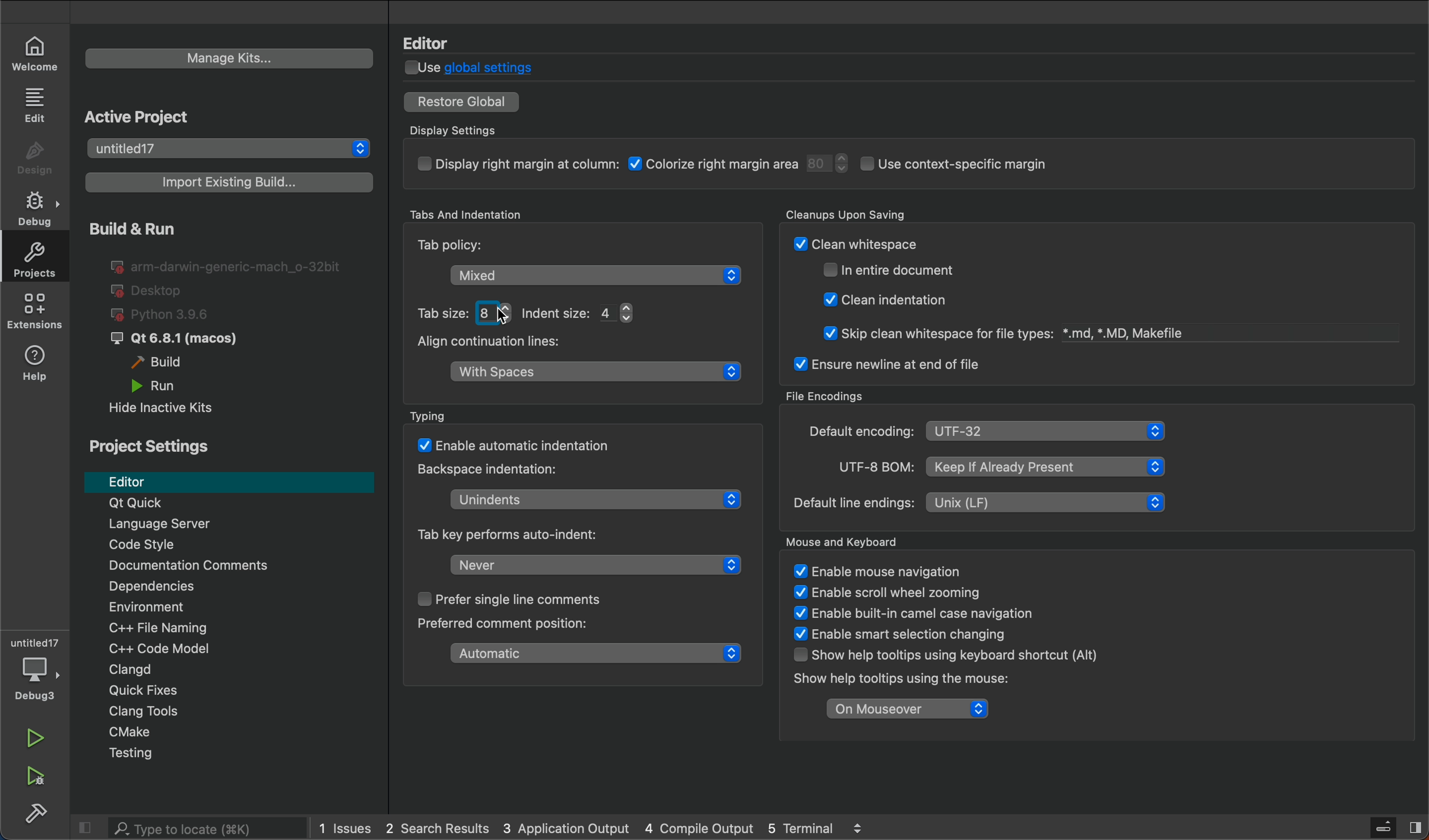 This screenshot has height=840, width=1429. I want to click on help, so click(39, 367).